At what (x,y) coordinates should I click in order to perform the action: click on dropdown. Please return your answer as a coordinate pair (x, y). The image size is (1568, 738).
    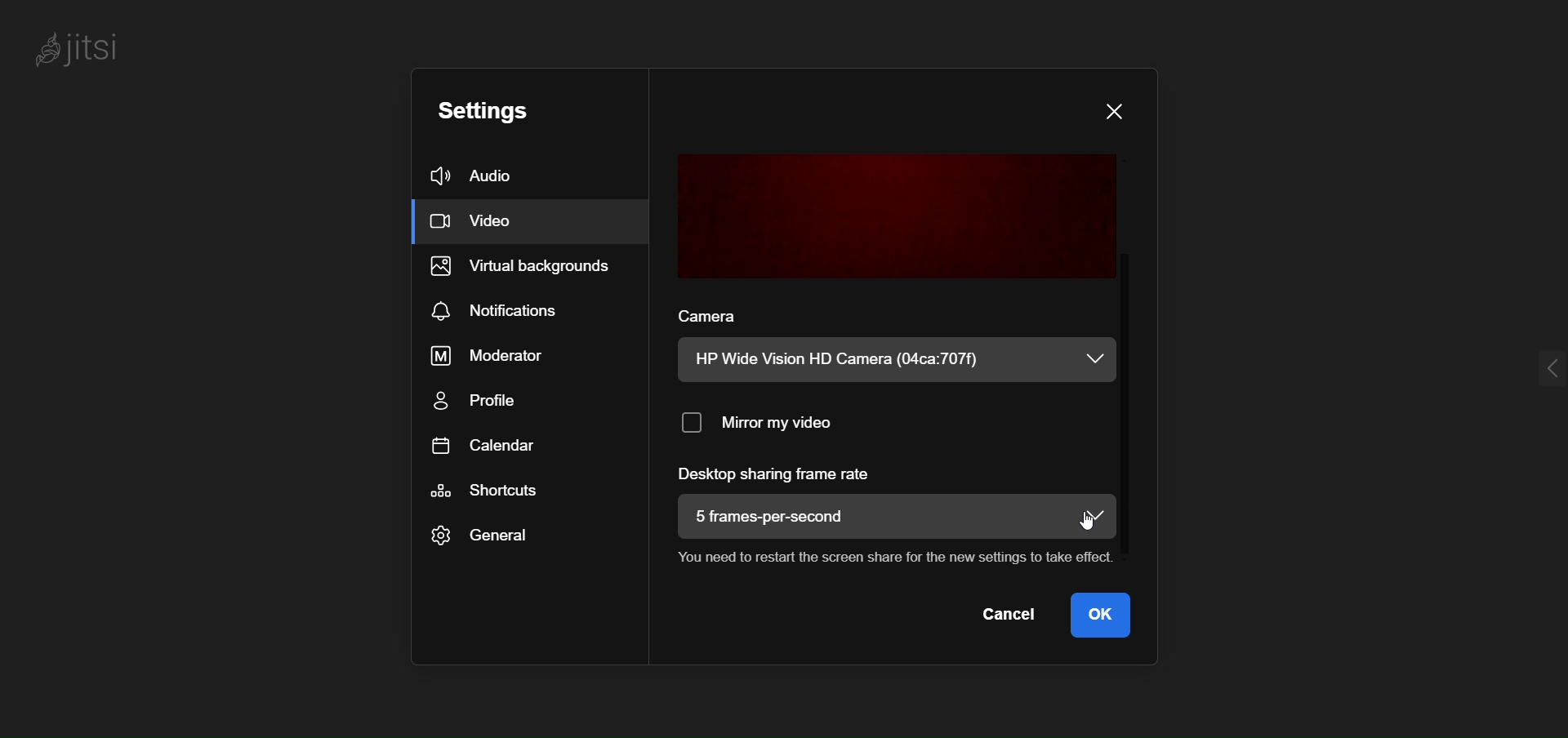
    Looking at the image, I should click on (1094, 359).